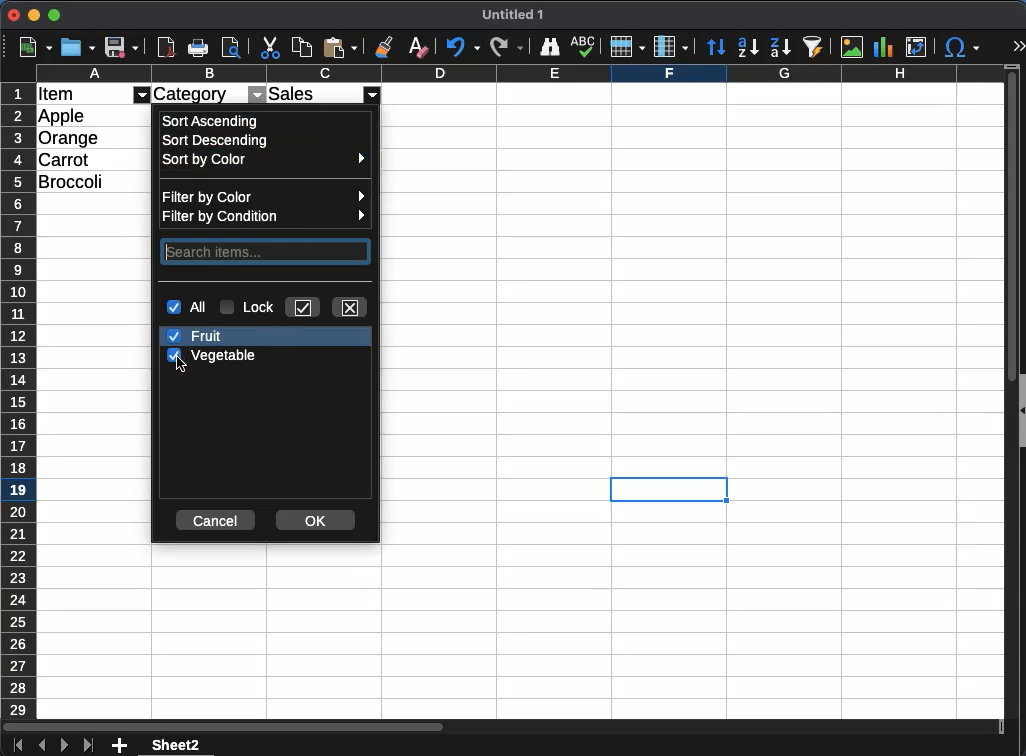 This screenshot has height=756, width=1026. Describe the element at coordinates (303, 307) in the screenshot. I see `keep` at that location.